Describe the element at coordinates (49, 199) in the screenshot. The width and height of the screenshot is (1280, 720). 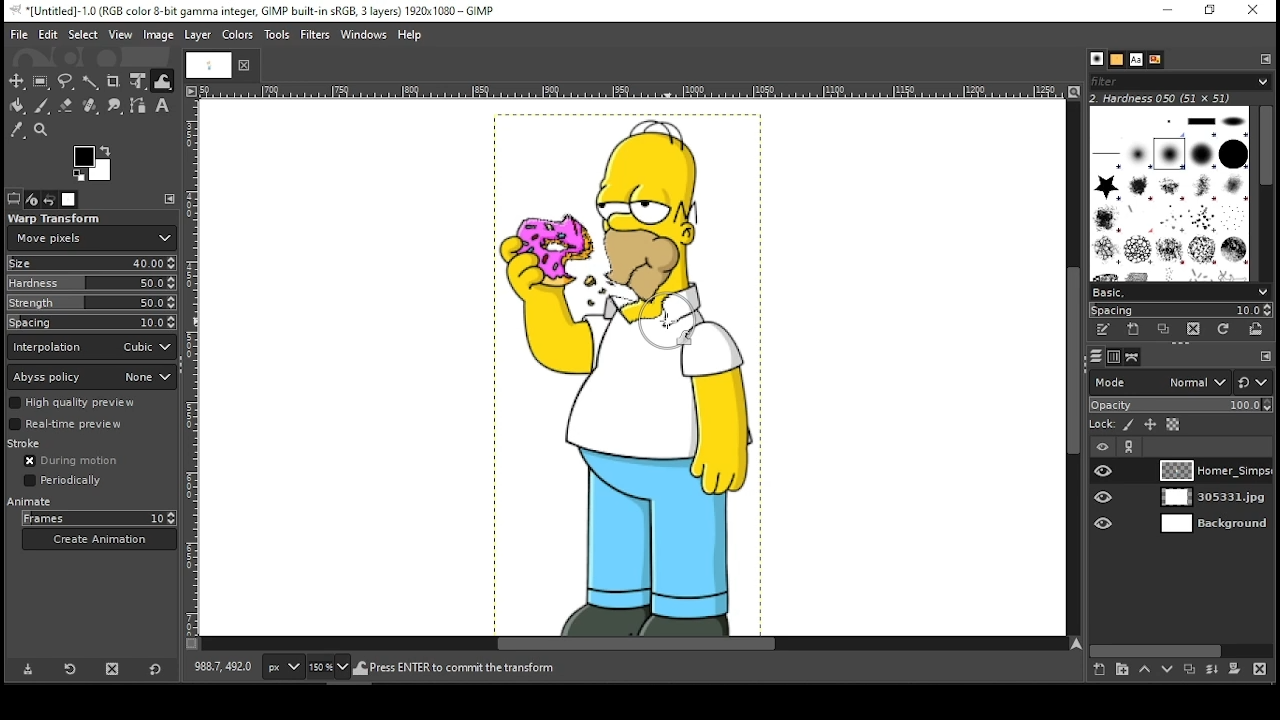
I see `undo history` at that location.